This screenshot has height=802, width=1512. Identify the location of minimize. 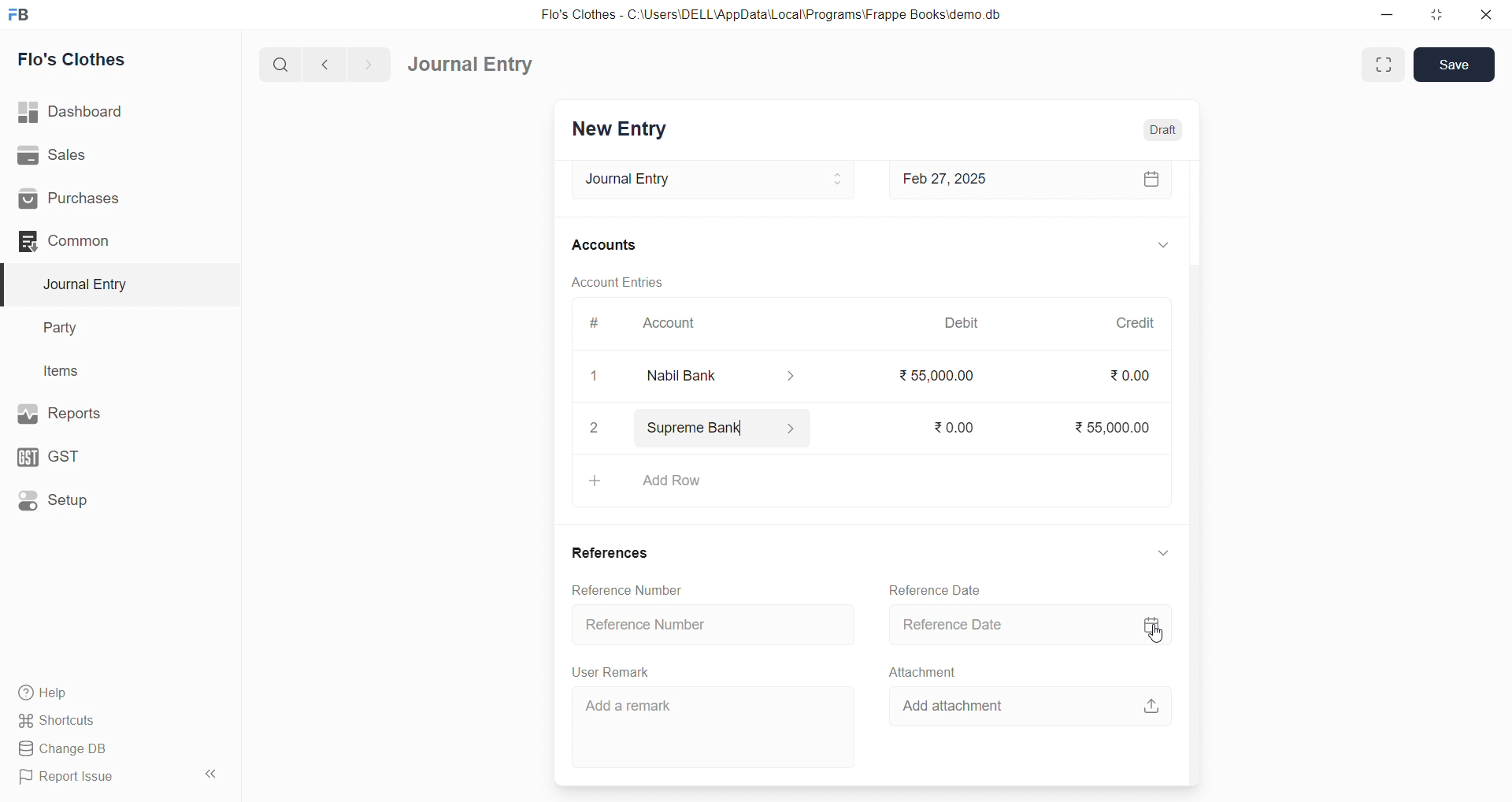
(1384, 13).